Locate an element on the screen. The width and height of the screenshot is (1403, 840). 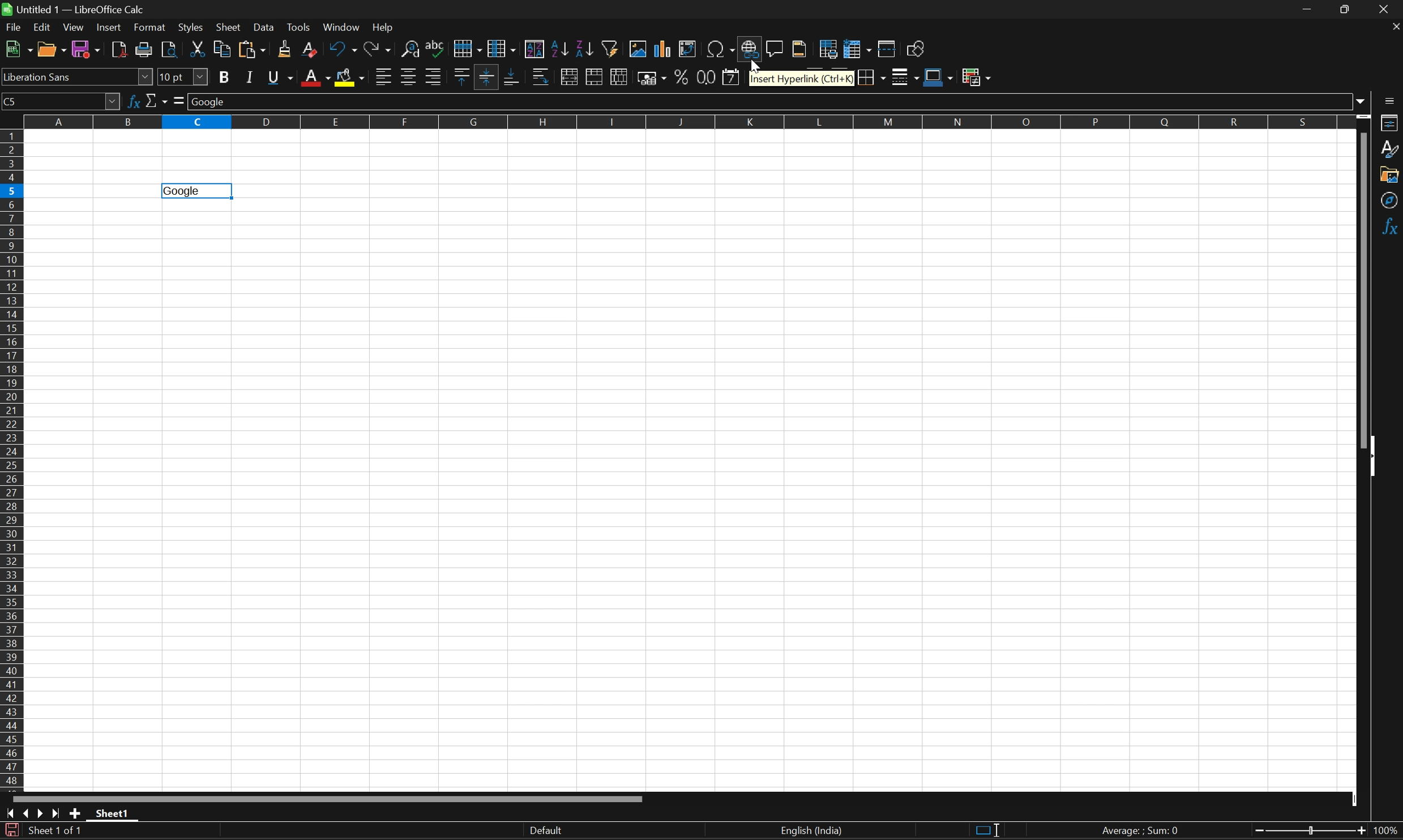
Font name is located at coordinates (77, 79).